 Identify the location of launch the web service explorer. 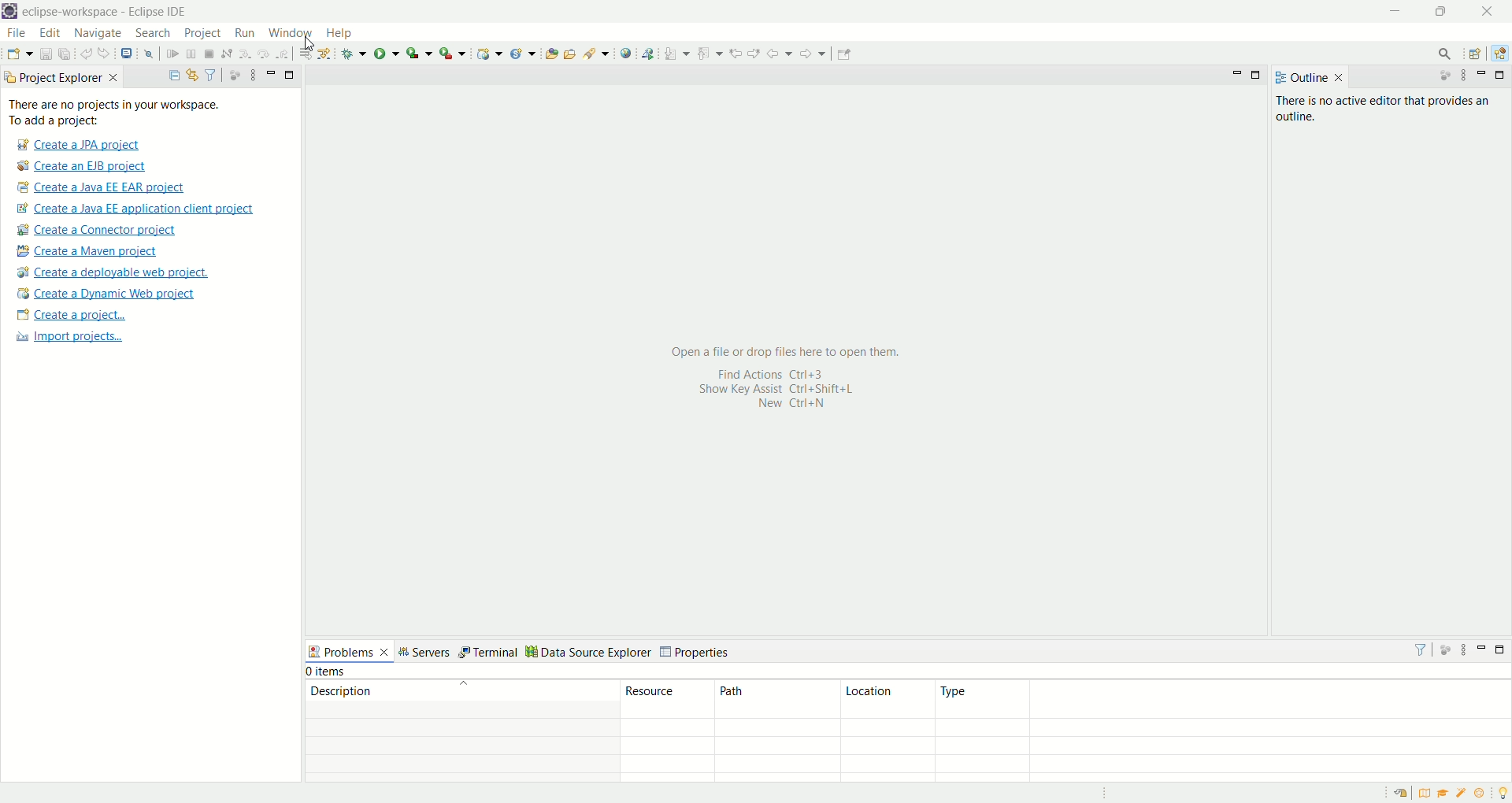
(647, 54).